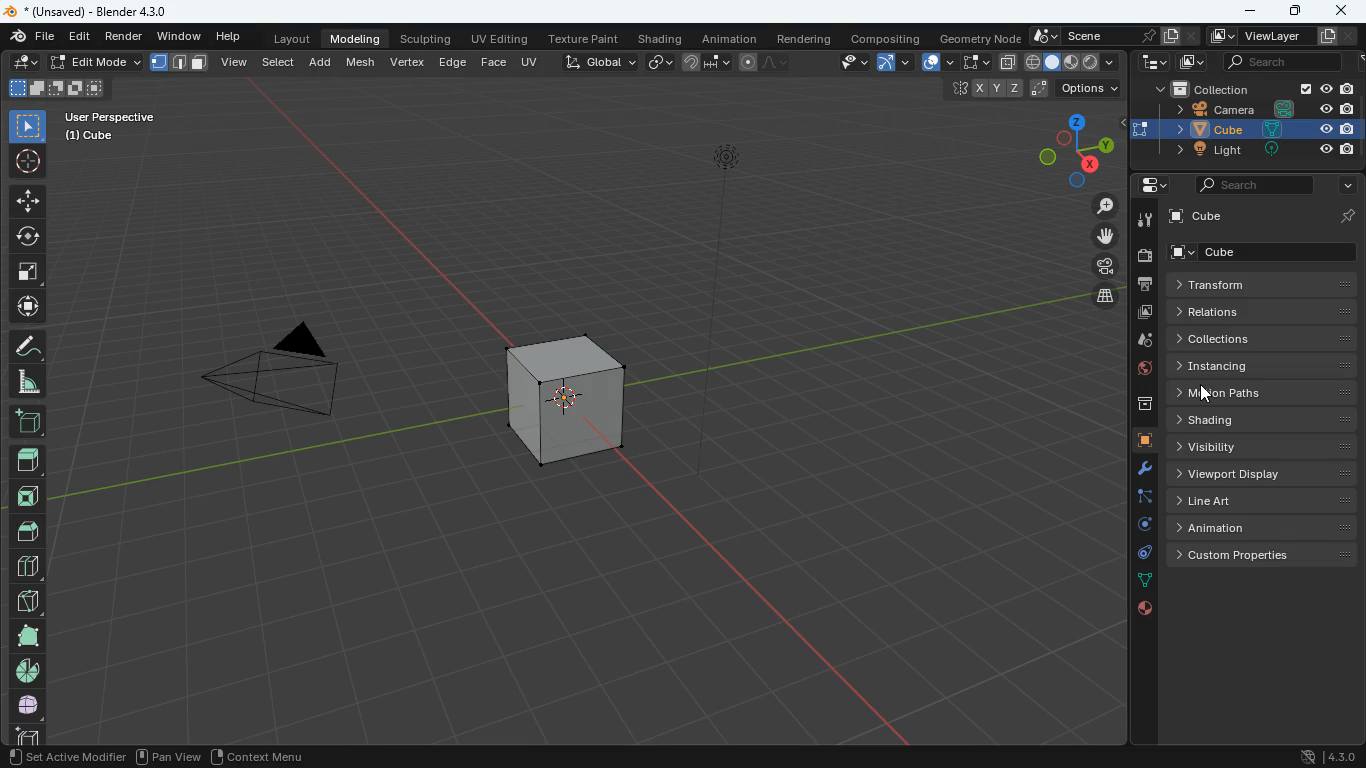  What do you see at coordinates (1264, 501) in the screenshot?
I see `lineart` at bounding box center [1264, 501].